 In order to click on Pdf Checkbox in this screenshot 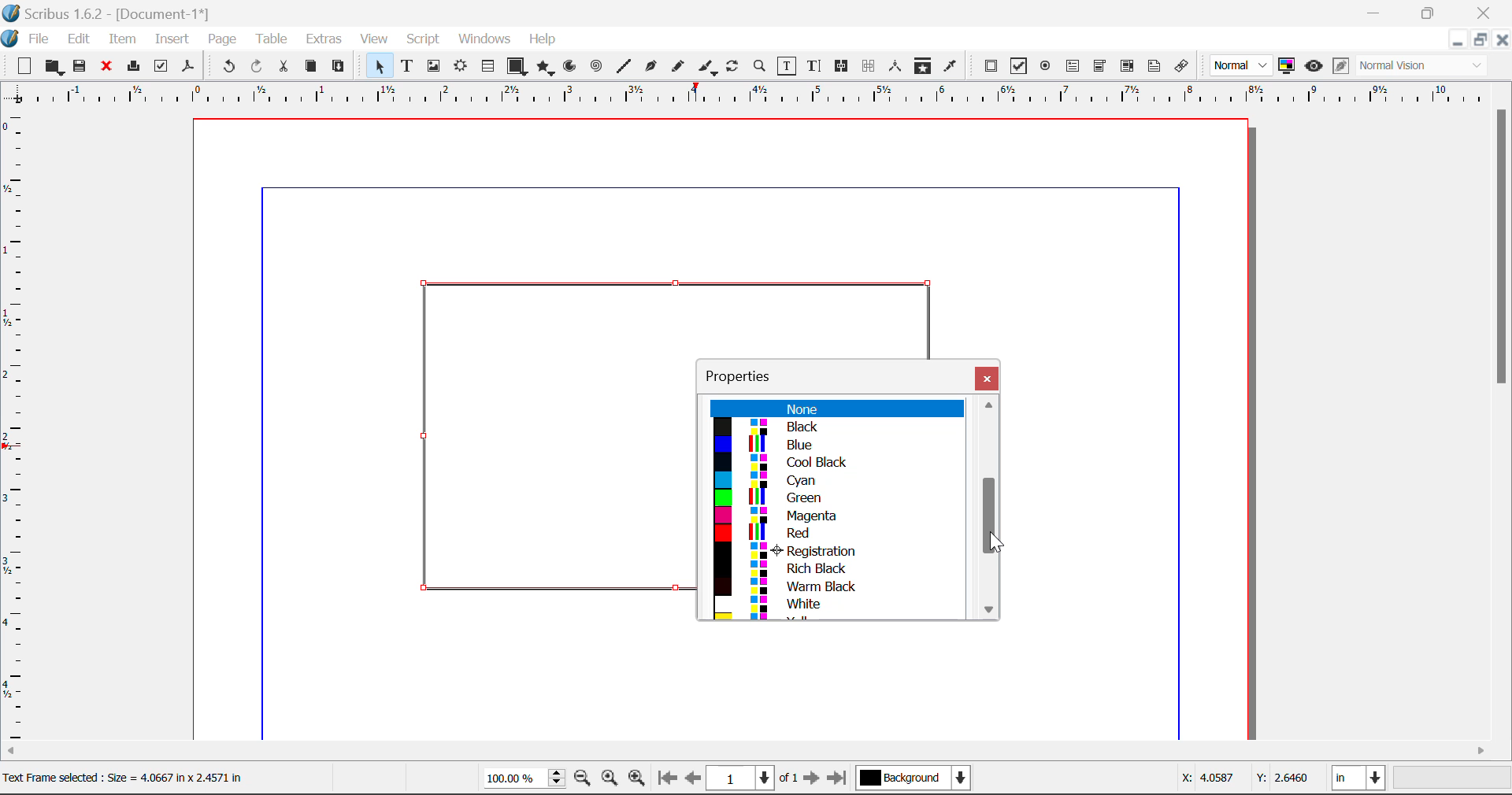, I will do `click(1019, 66)`.